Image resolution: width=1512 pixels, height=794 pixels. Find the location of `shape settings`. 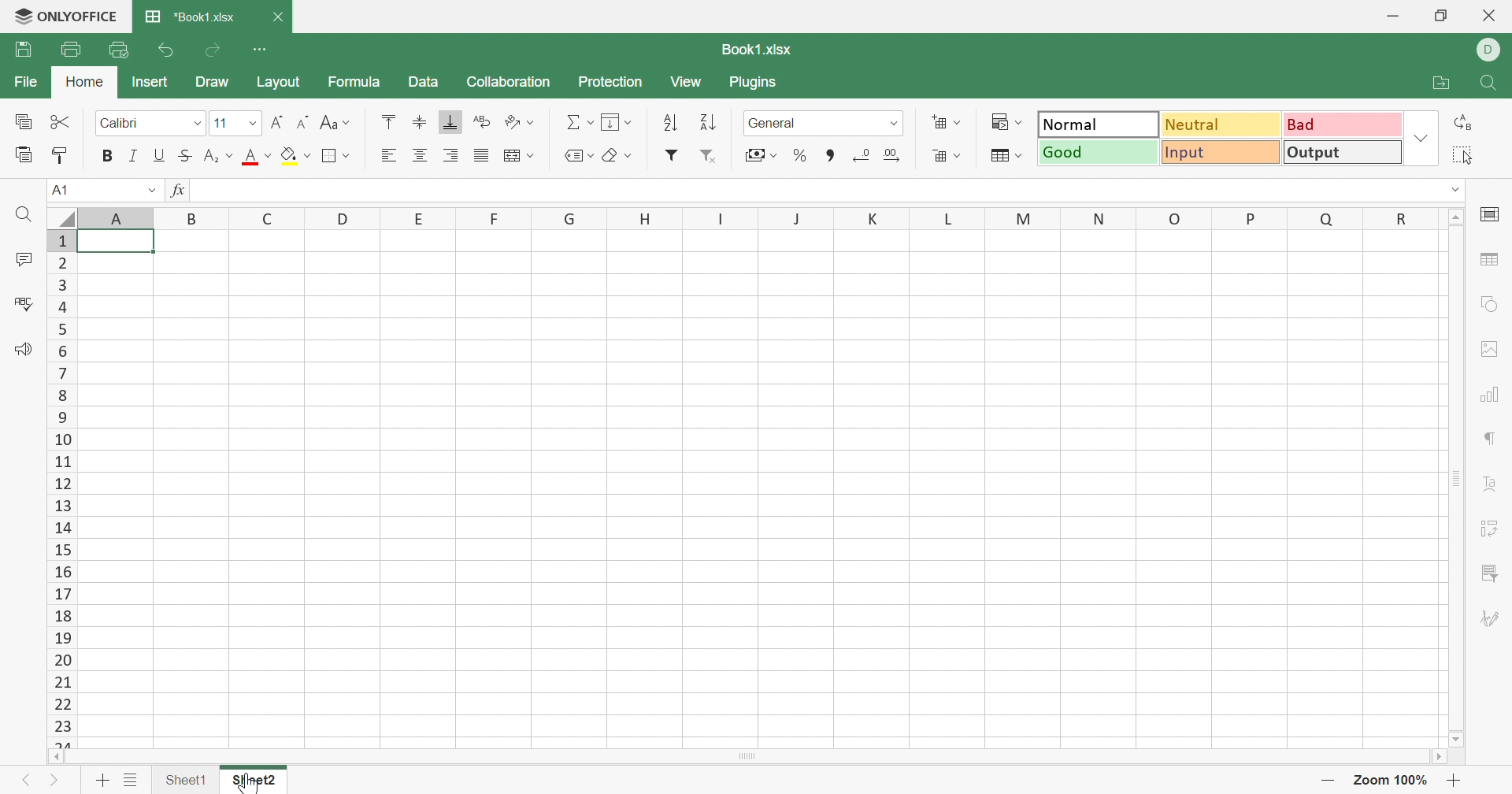

shape settings is located at coordinates (1487, 307).